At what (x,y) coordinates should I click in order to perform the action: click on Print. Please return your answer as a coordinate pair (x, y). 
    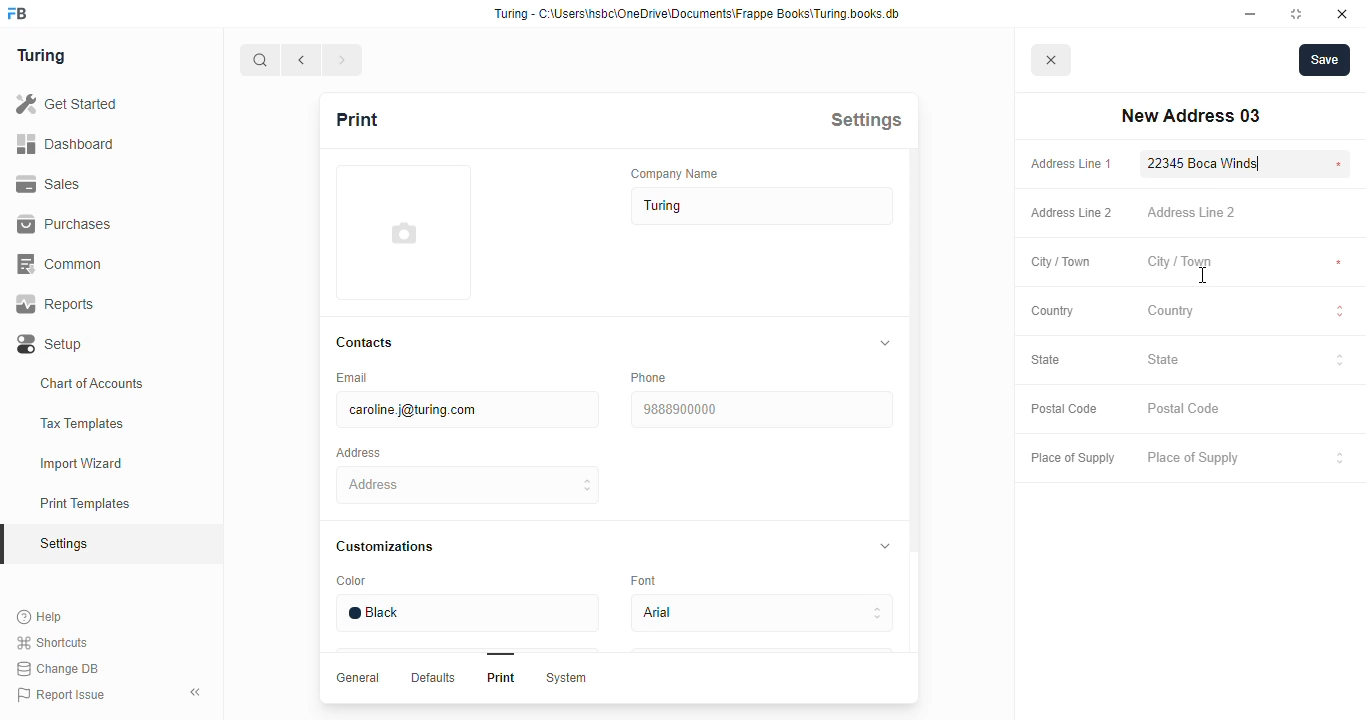
    Looking at the image, I should click on (501, 677).